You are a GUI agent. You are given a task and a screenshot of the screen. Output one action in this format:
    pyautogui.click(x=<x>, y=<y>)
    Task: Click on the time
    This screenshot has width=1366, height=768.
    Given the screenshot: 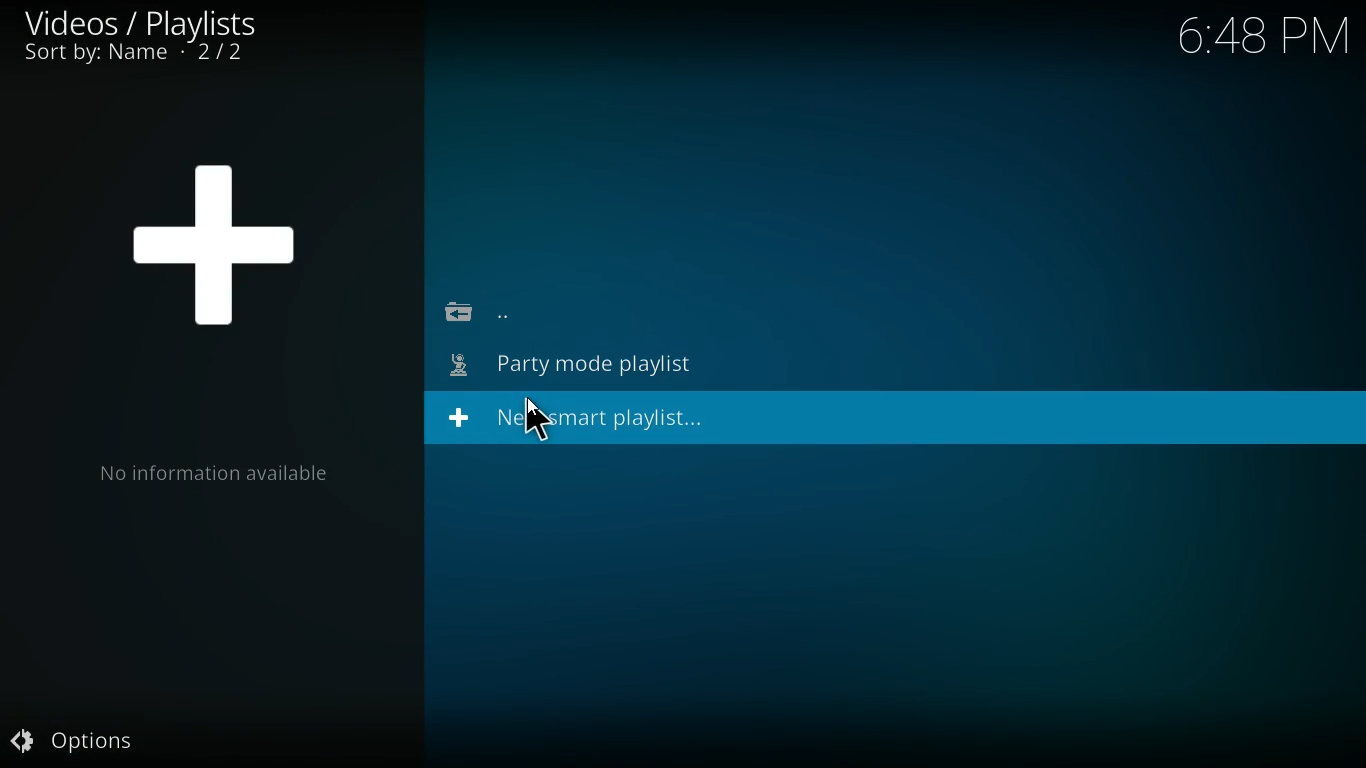 What is the action you would take?
    pyautogui.click(x=1257, y=37)
    